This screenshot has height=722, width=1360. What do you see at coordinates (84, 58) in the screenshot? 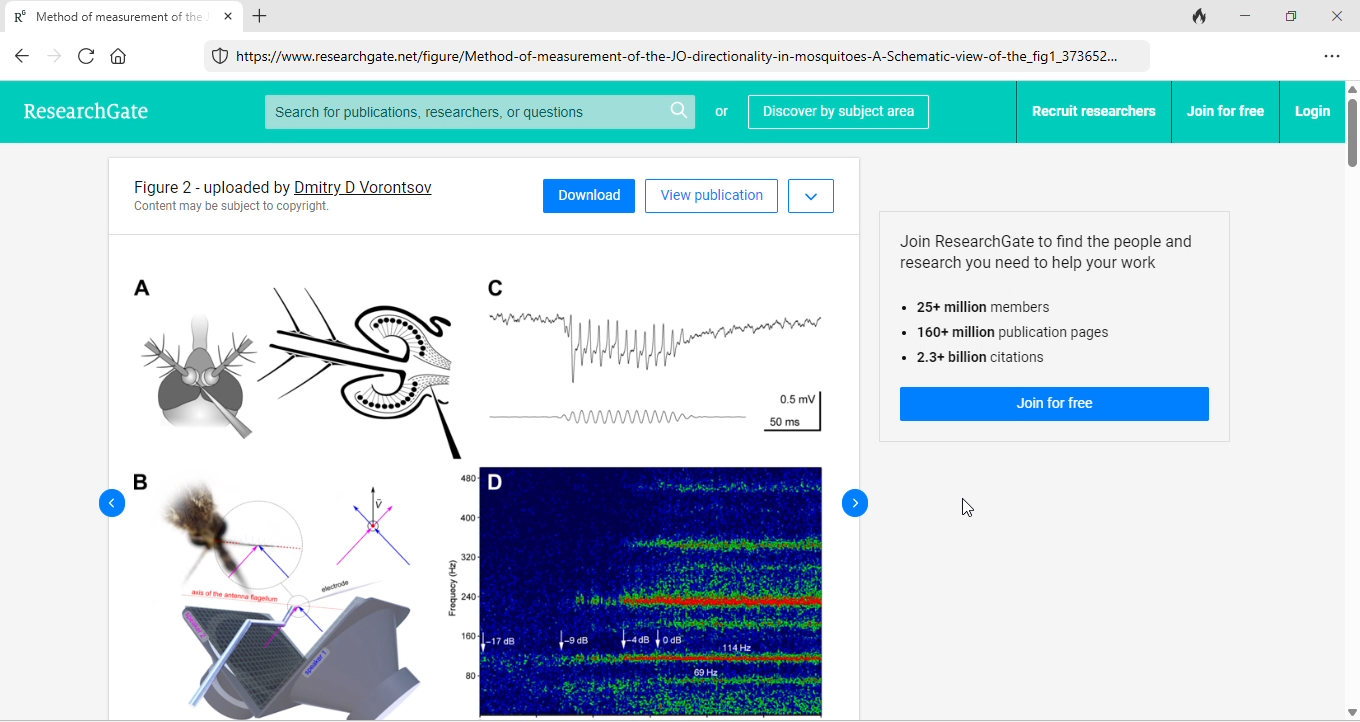
I see `reload` at bounding box center [84, 58].